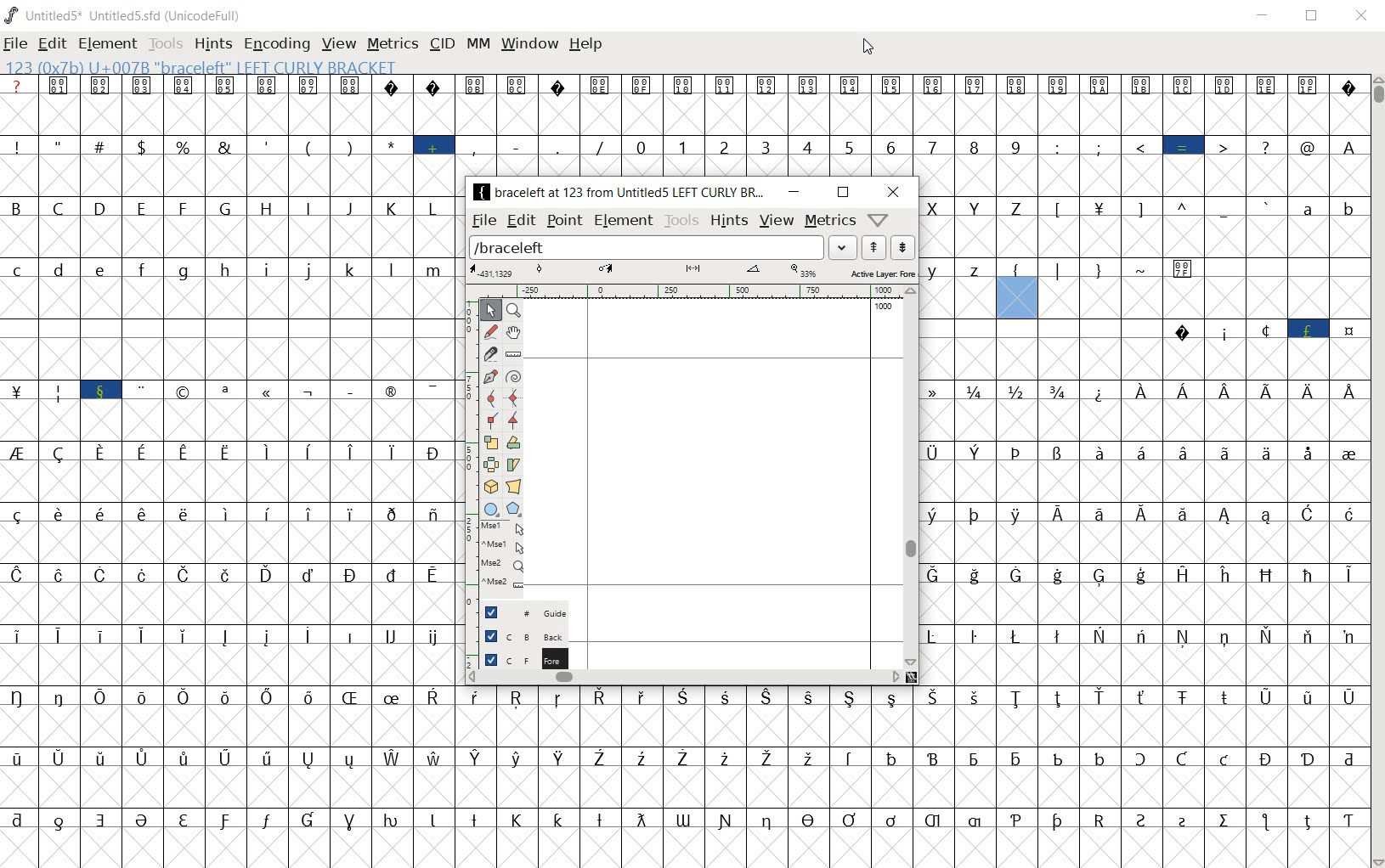 Image resolution: width=1385 pixels, height=868 pixels. What do you see at coordinates (499, 559) in the screenshot?
I see `mse1 mse1 mse2 mse2` at bounding box center [499, 559].